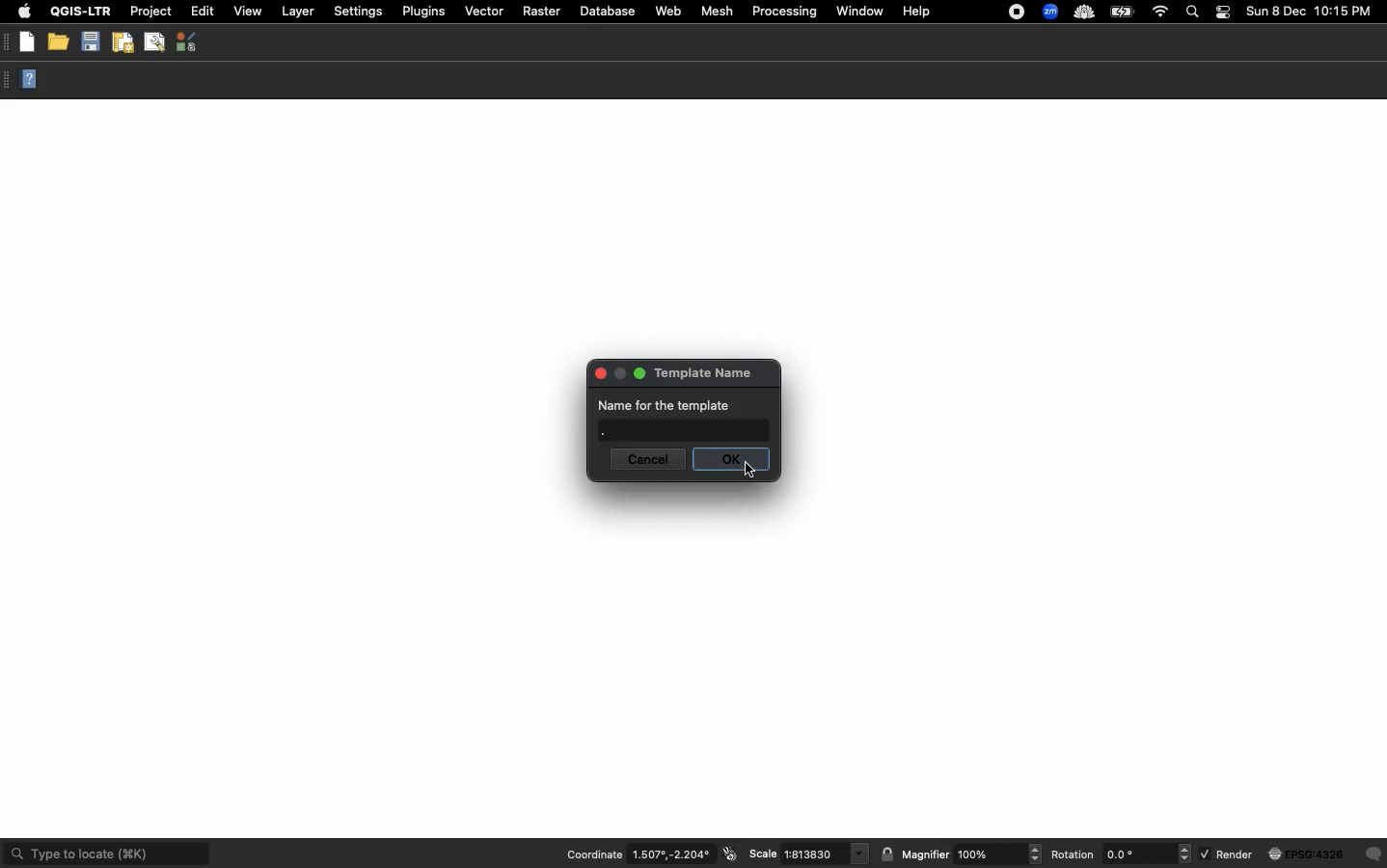 This screenshot has width=1387, height=868. I want to click on Rotation, so click(1074, 855).